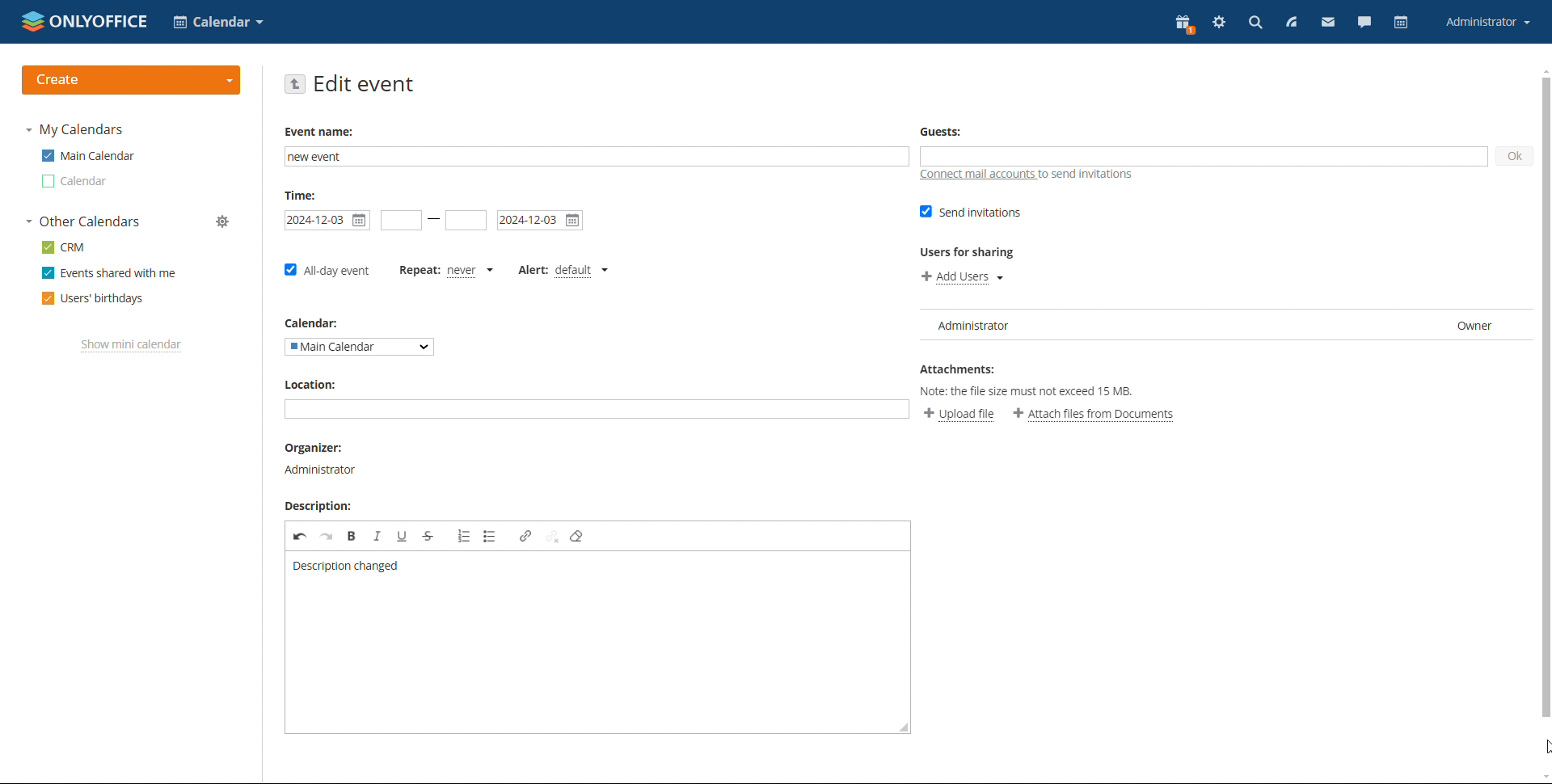 Image resolution: width=1552 pixels, height=784 pixels. Describe the element at coordinates (304, 196) in the screenshot. I see `Time:` at that location.